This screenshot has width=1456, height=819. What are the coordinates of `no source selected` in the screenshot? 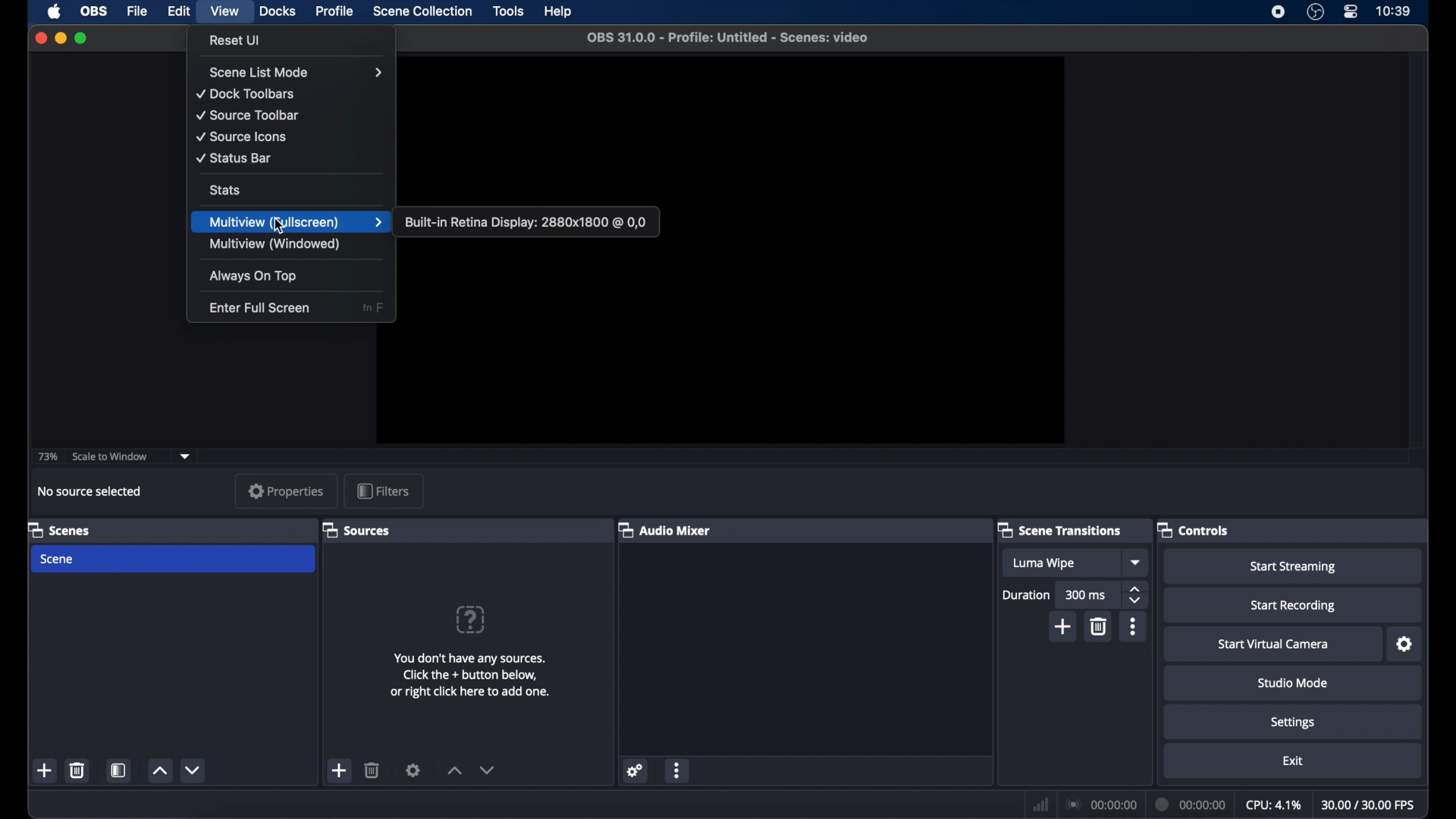 It's located at (89, 491).